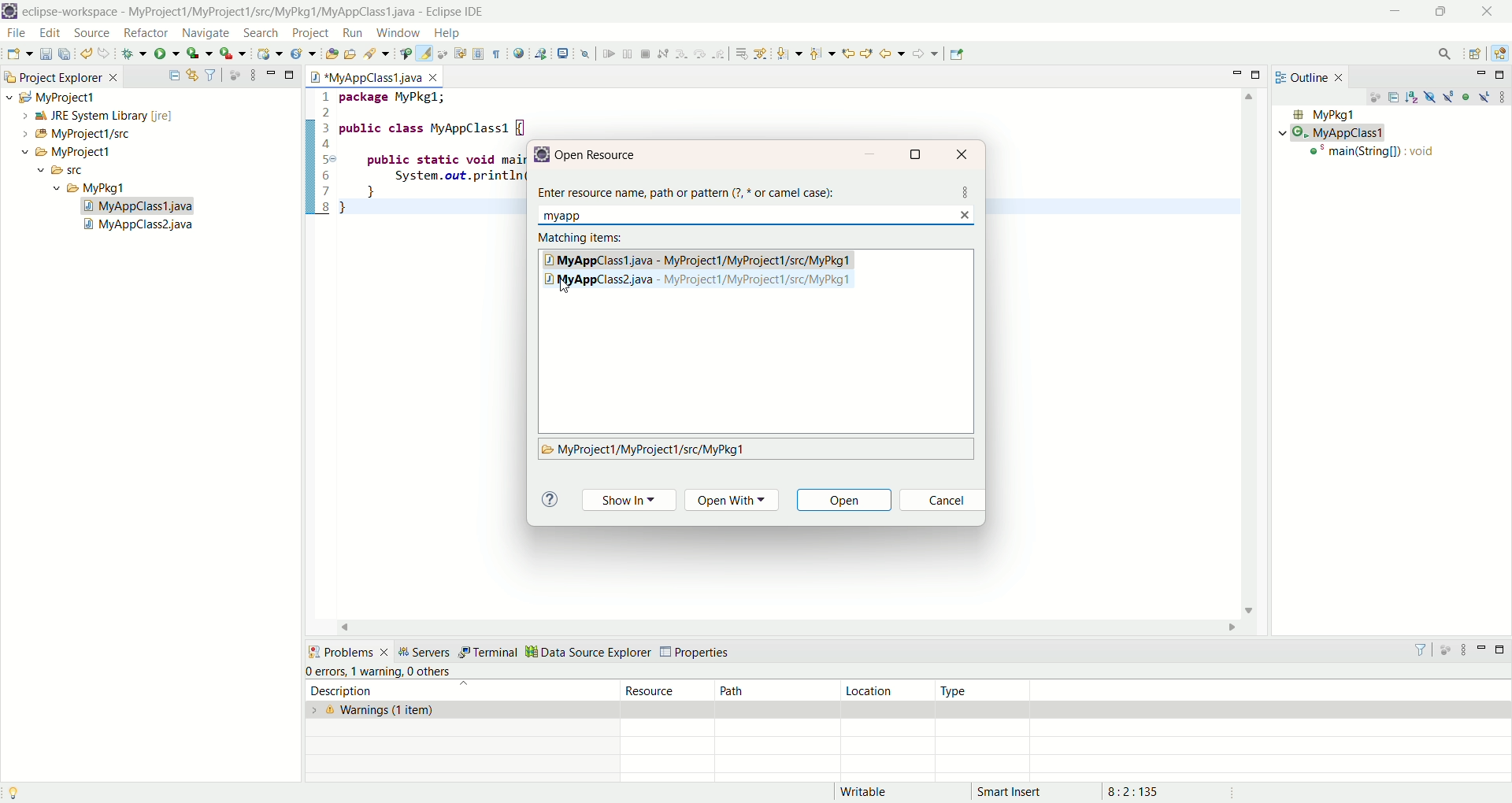 The width and height of the screenshot is (1512, 803). I want to click on open perspective, so click(1475, 54).